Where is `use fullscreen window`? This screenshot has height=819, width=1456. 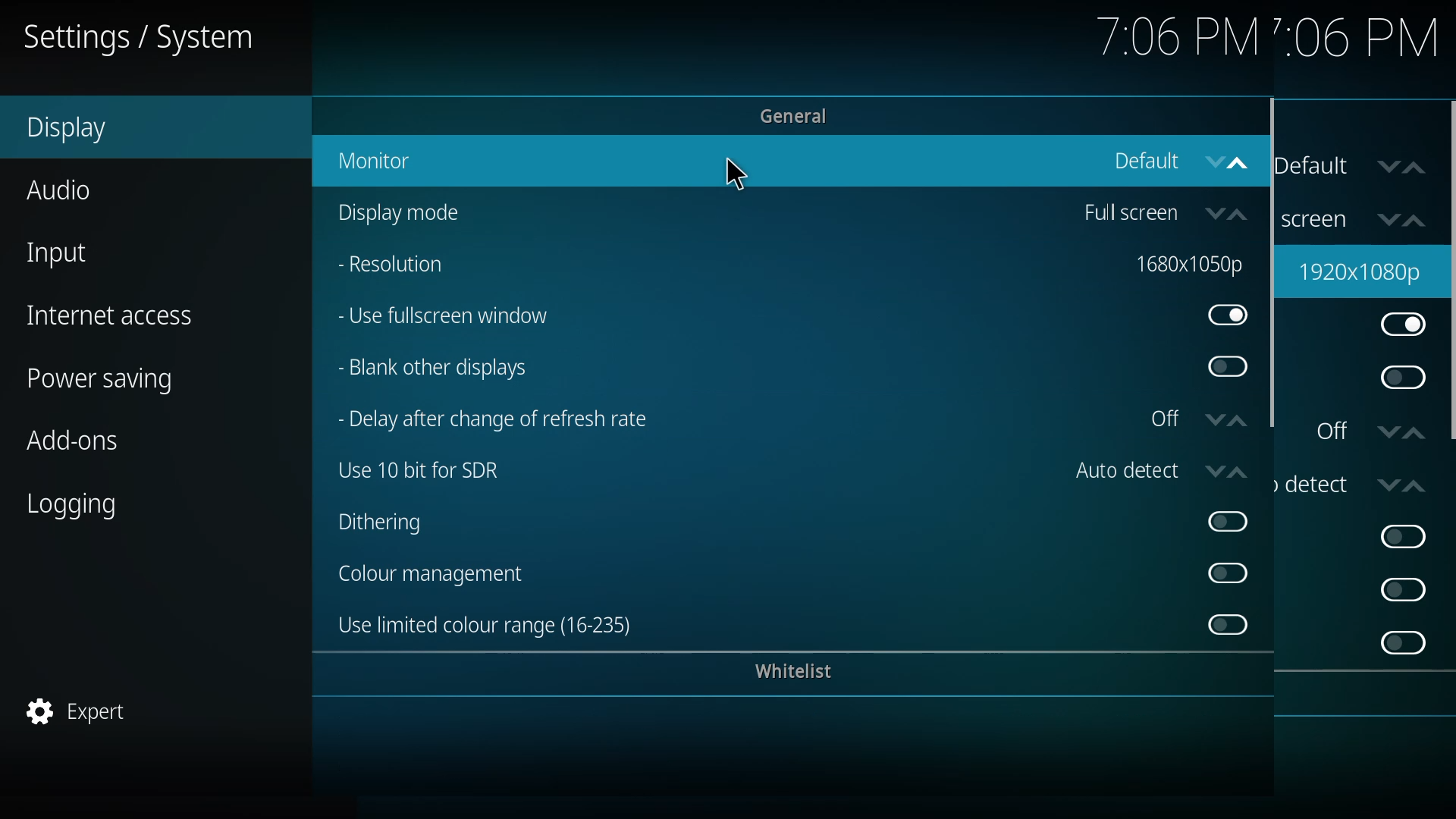
use fullscreen window is located at coordinates (457, 317).